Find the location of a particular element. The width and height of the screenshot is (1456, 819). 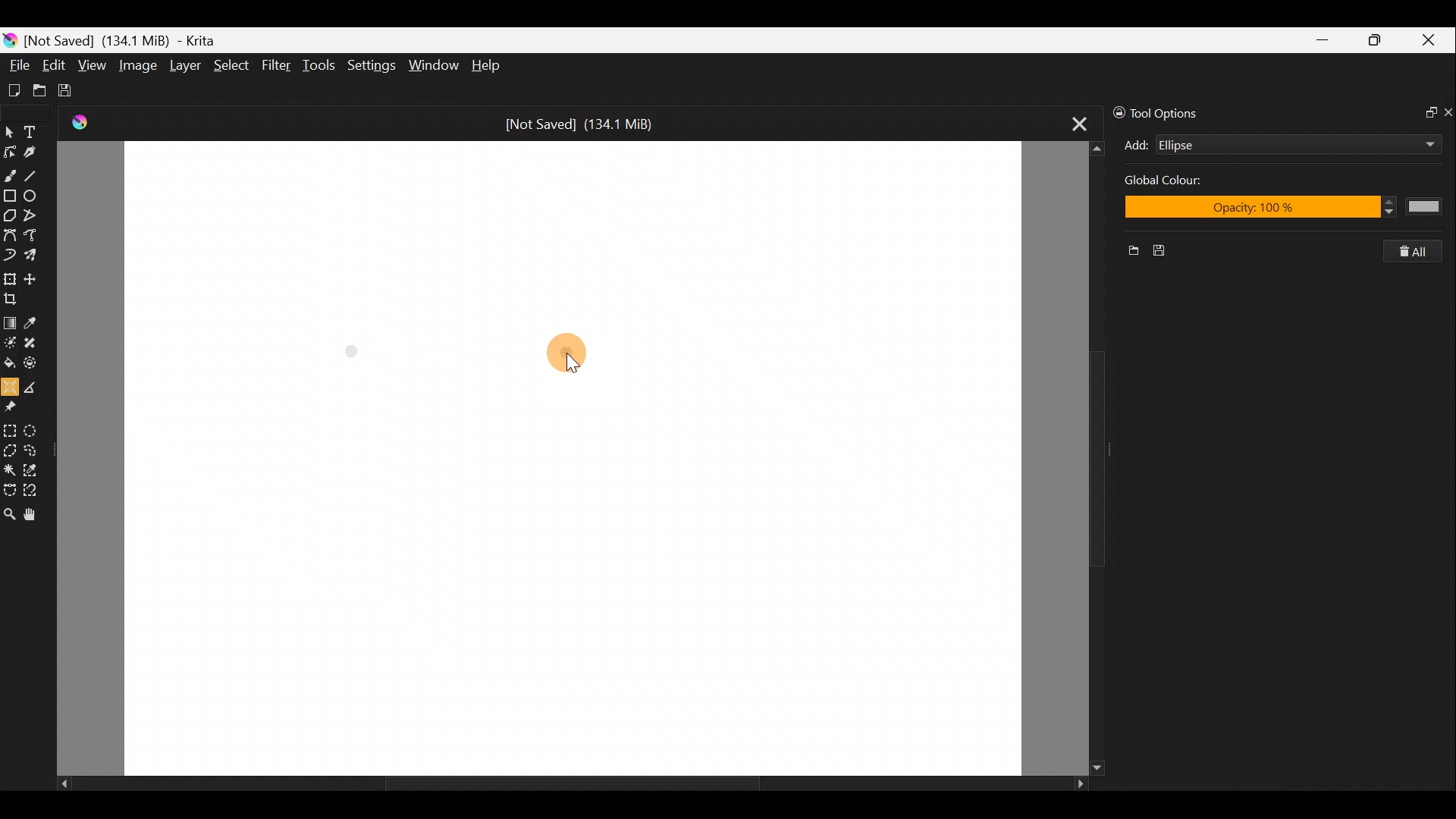

Edit shapes tool is located at coordinates (12, 149).